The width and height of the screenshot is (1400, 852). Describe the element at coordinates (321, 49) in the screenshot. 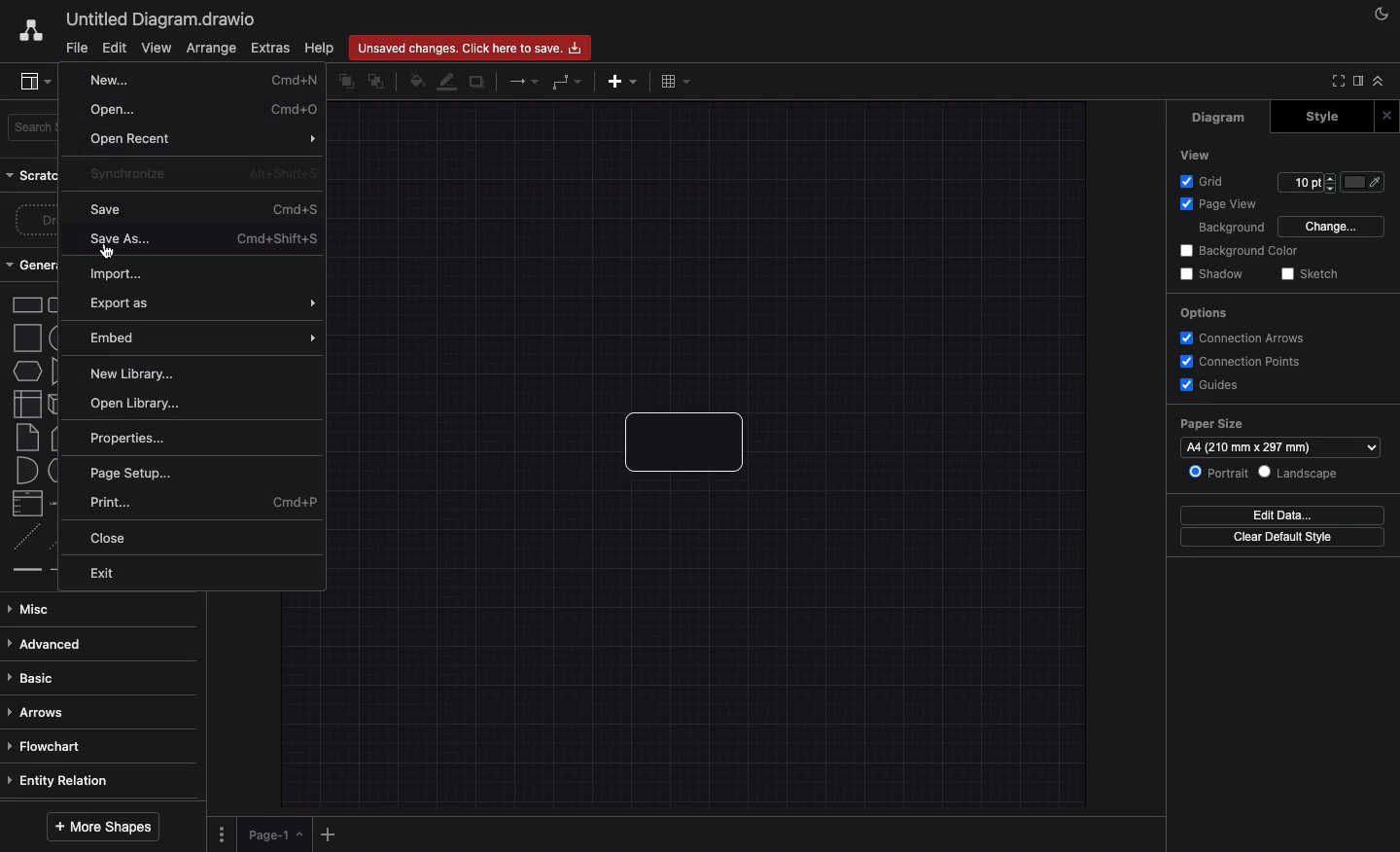

I see `Help` at that location.